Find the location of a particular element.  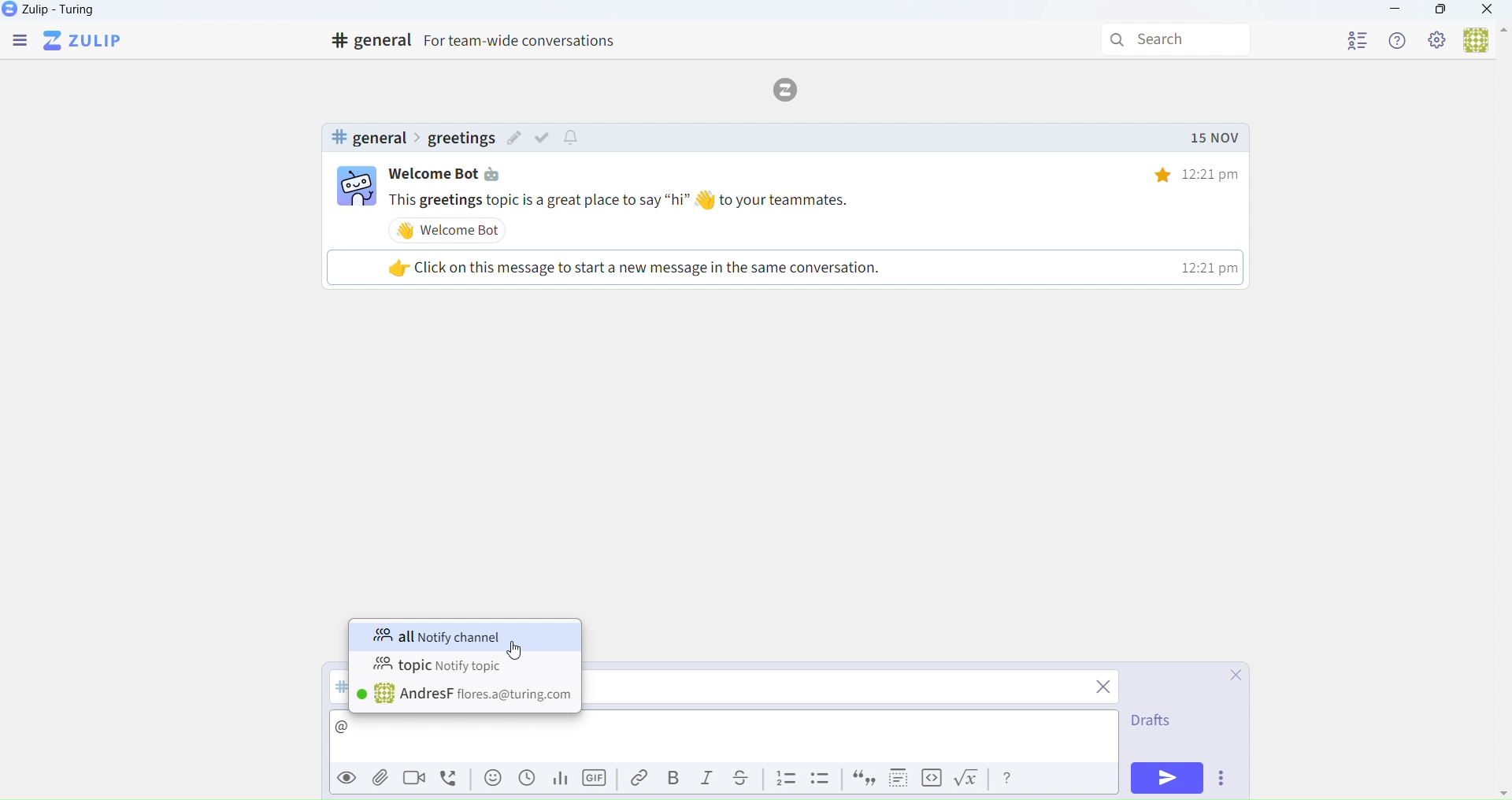

Logo is located at coordinates (791, 88).